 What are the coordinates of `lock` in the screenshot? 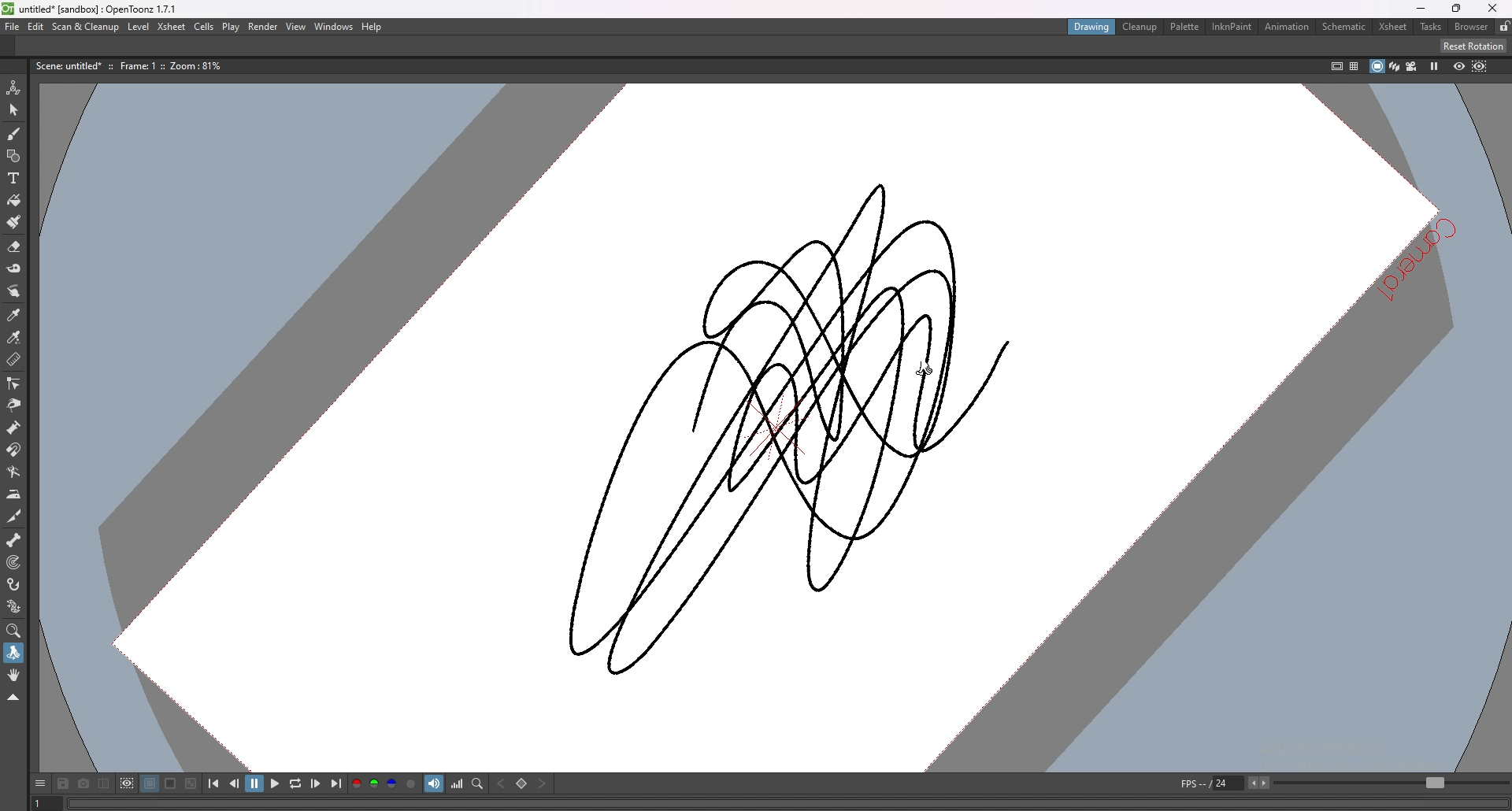 It's located at (1505, 27).